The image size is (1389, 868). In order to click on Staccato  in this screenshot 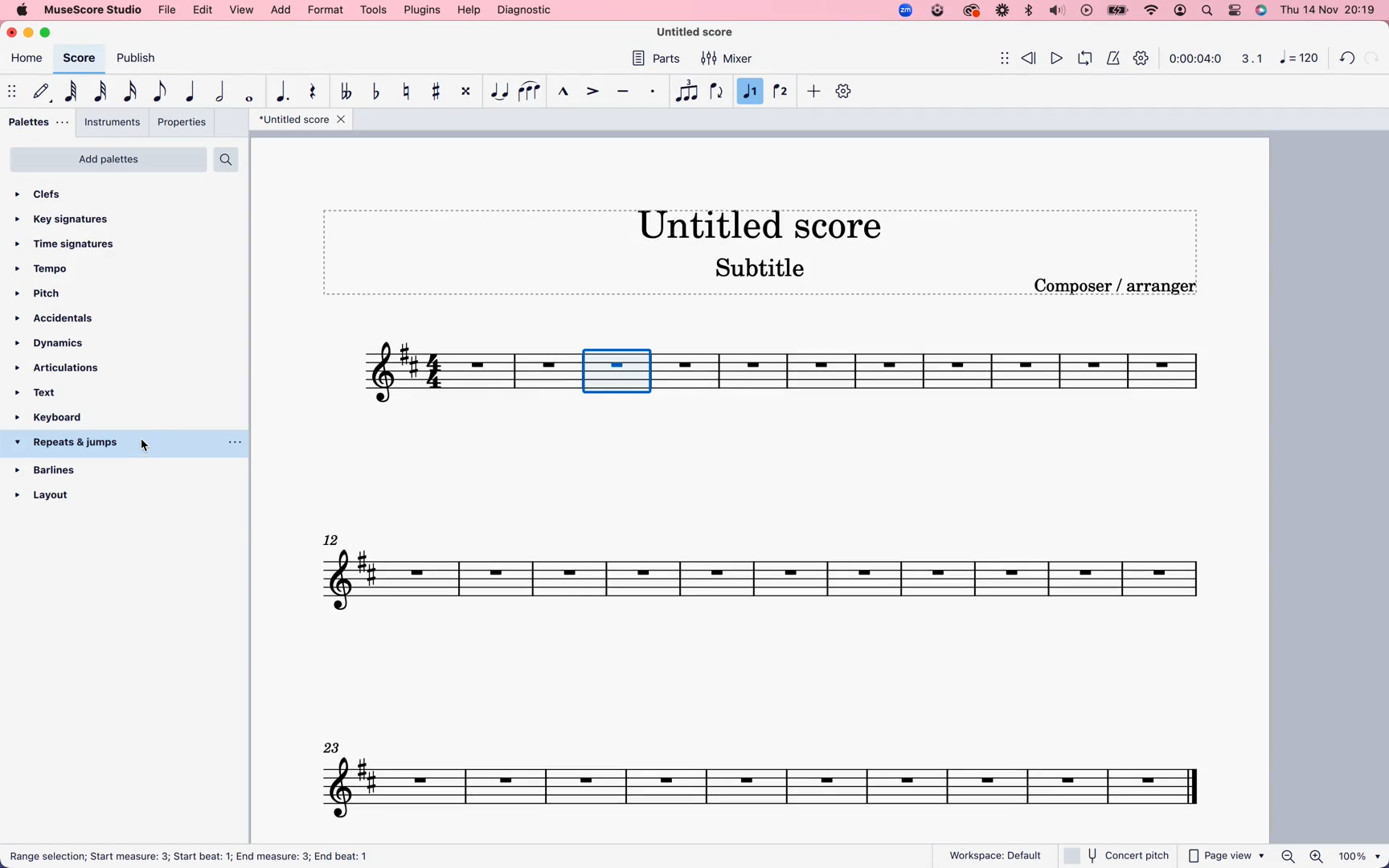, I will do `click(654, 91)`.